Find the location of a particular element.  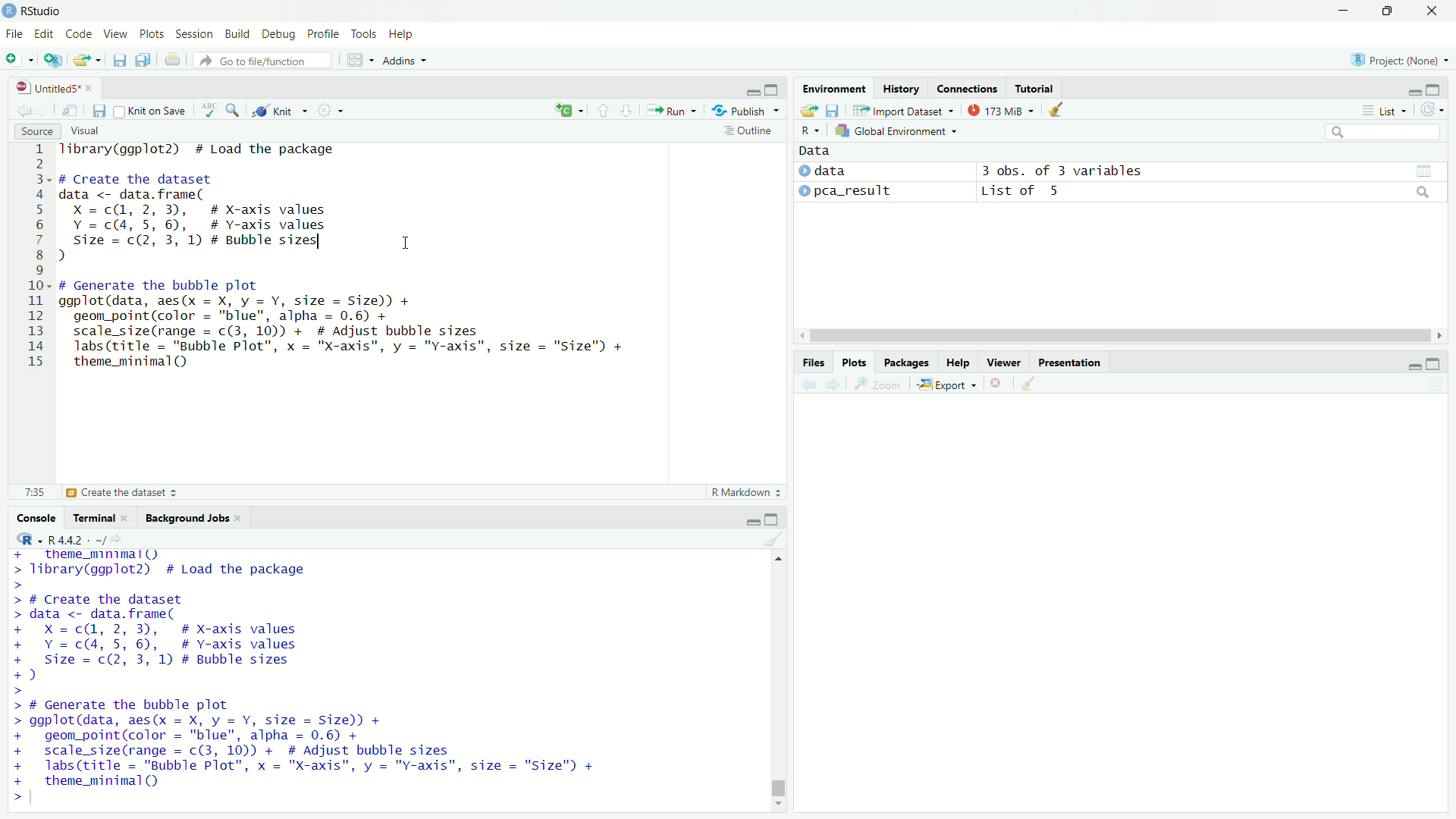

next plot is located at coordinates (835, 384).